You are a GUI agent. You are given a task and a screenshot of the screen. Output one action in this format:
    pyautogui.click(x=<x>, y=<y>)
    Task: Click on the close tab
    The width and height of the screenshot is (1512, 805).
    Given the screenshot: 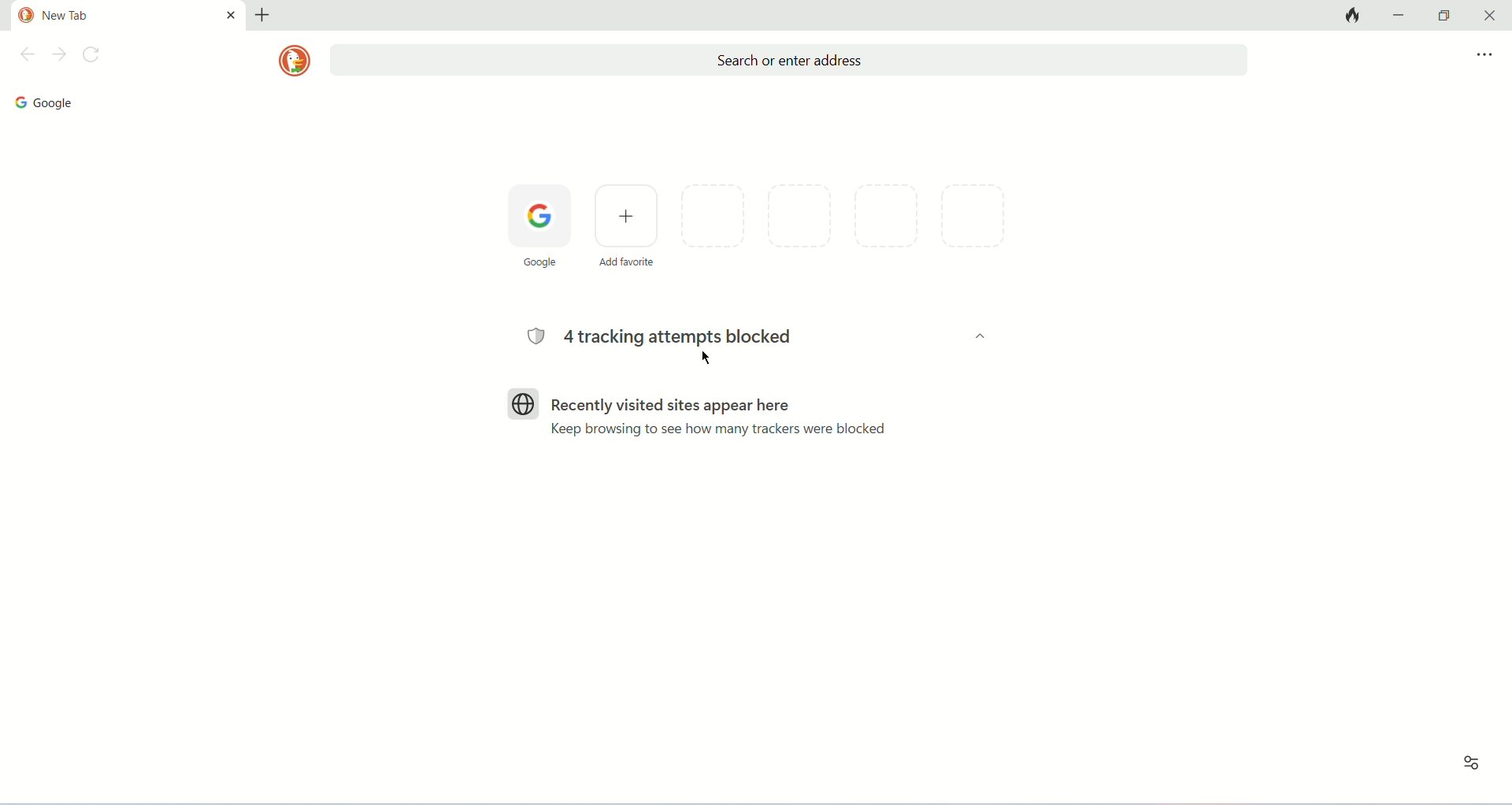 What is the action you would take?
    pyautogui.click(x=231, y=14)
    